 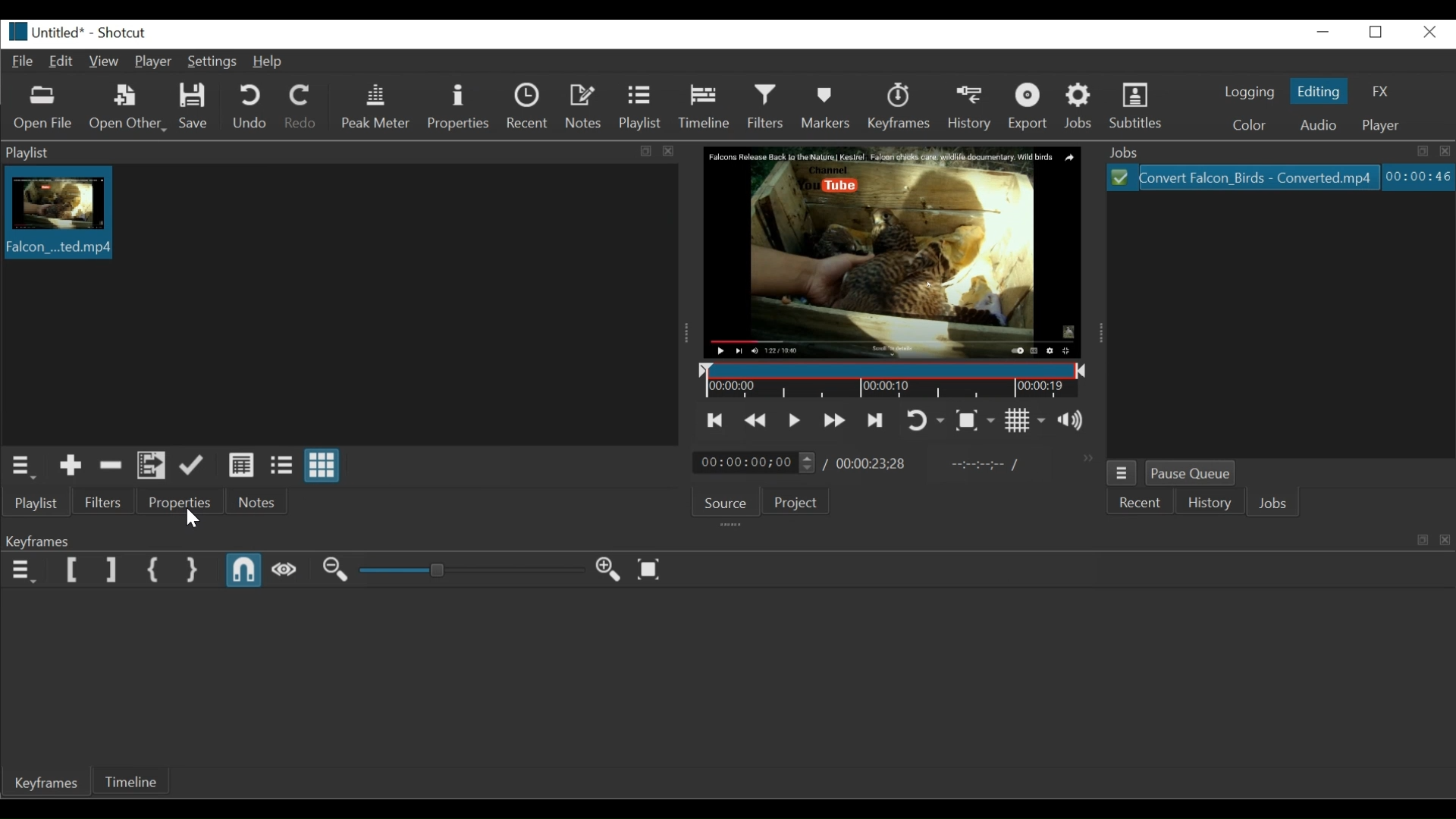 What do you see at coordinates (1030, 108) in the screenshot?
I see `Export` at bounding box center [1030, 108].